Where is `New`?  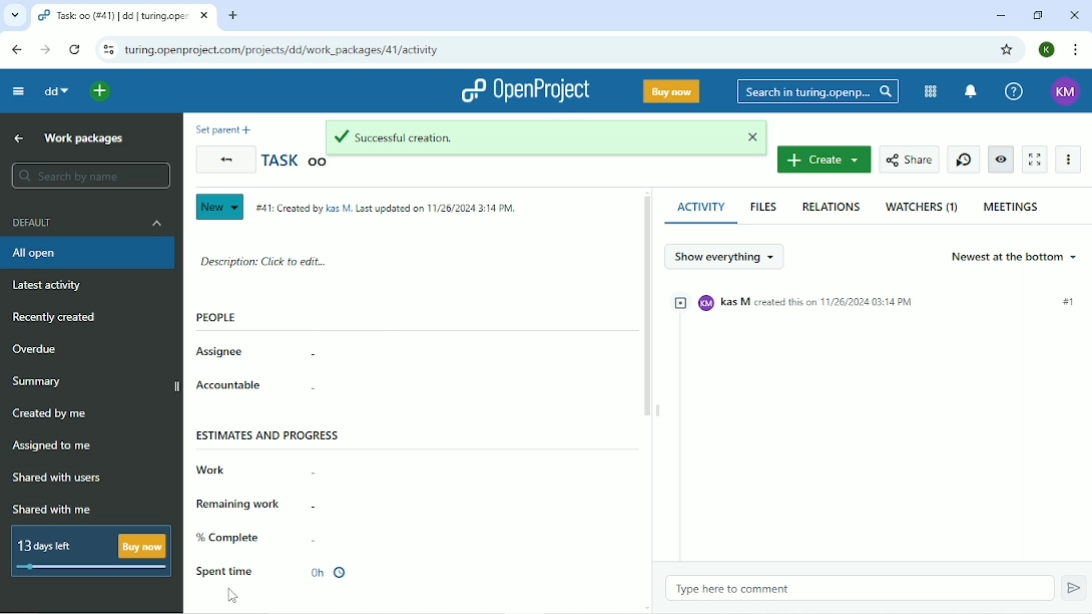
New is located at coordinates (220, 207).